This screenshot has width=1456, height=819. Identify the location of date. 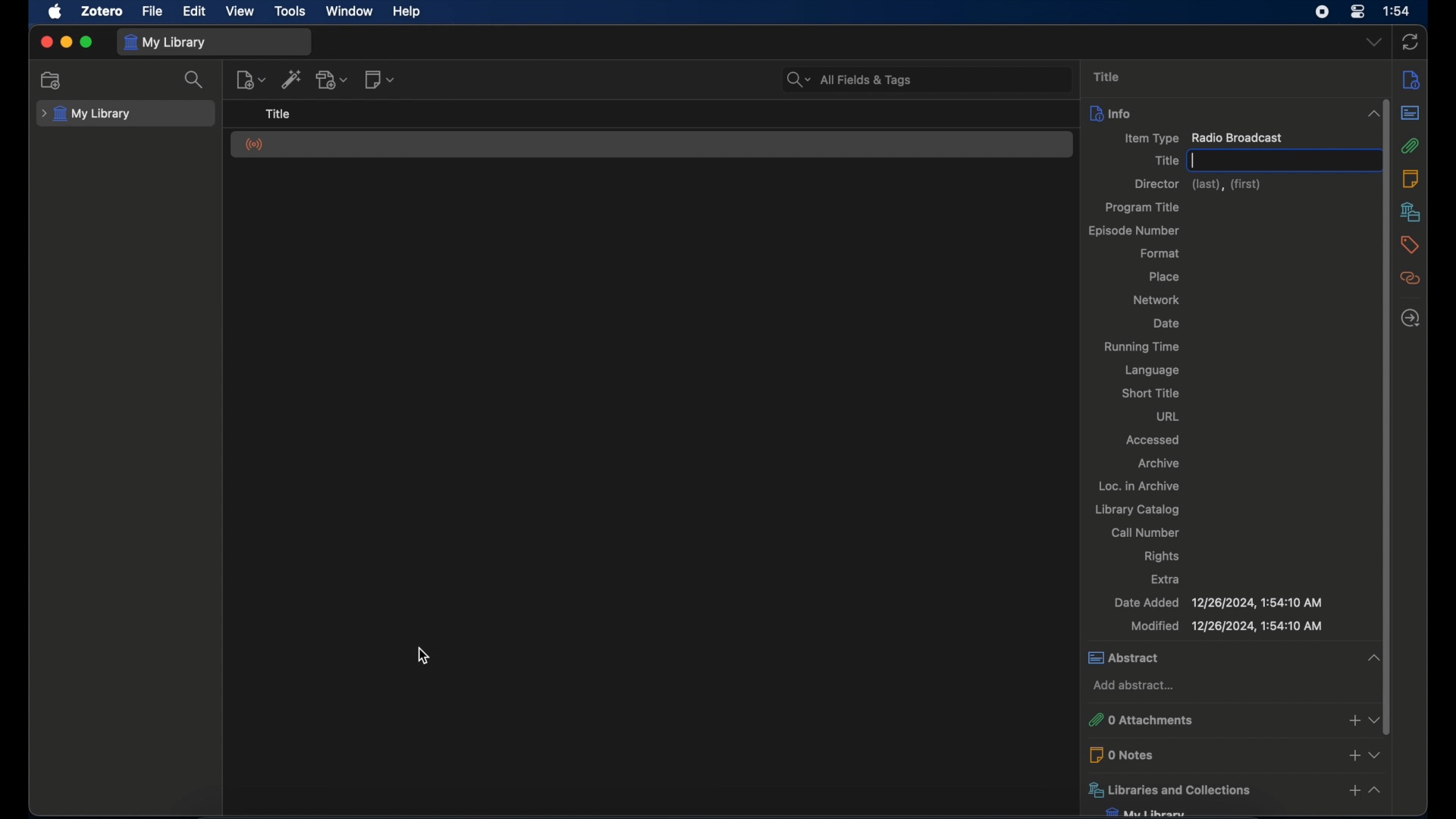
(1168, 324).